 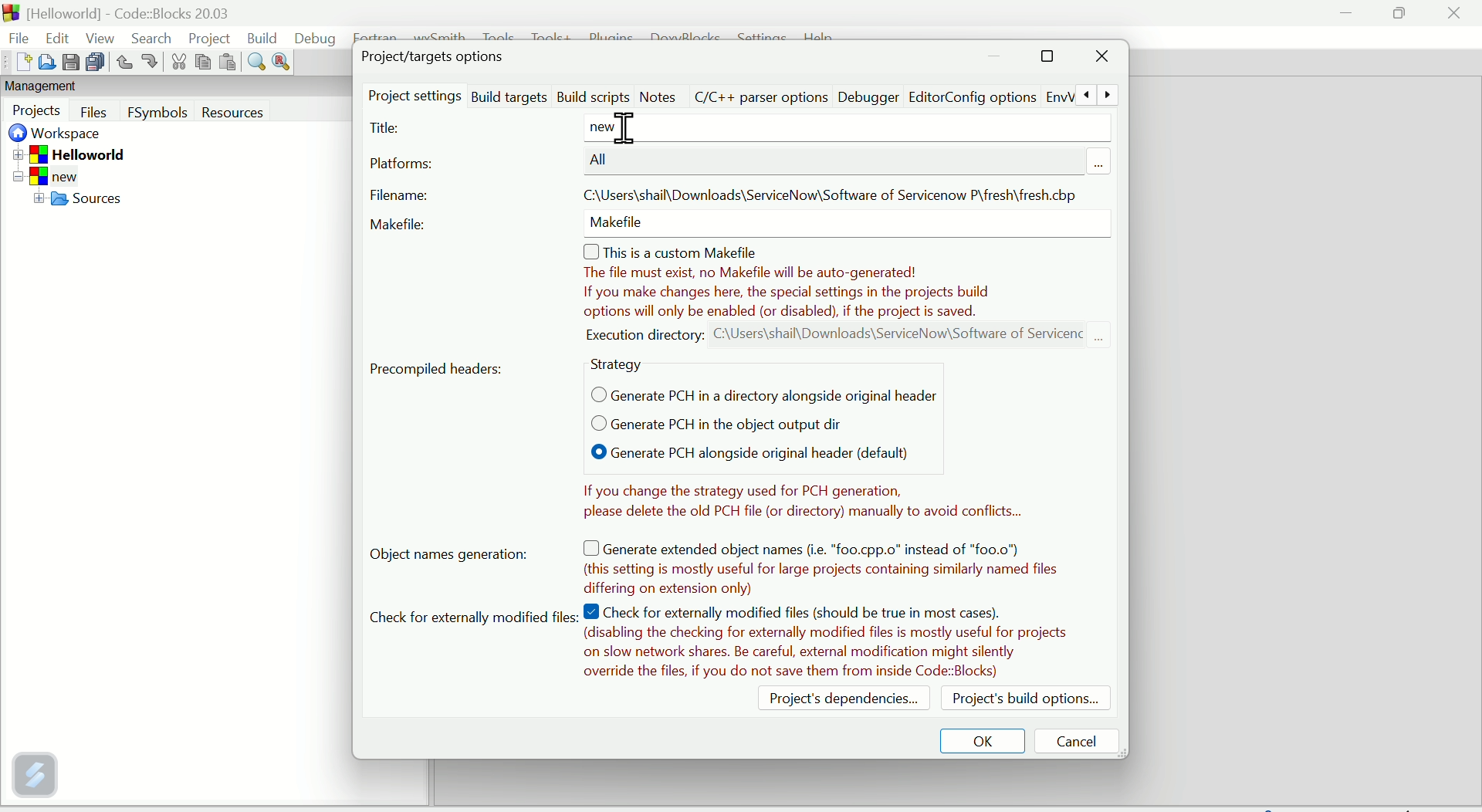 What do you see at coordinates (46, 61) in the screenshot?
I see `Open` at bounding box center [46, 61].